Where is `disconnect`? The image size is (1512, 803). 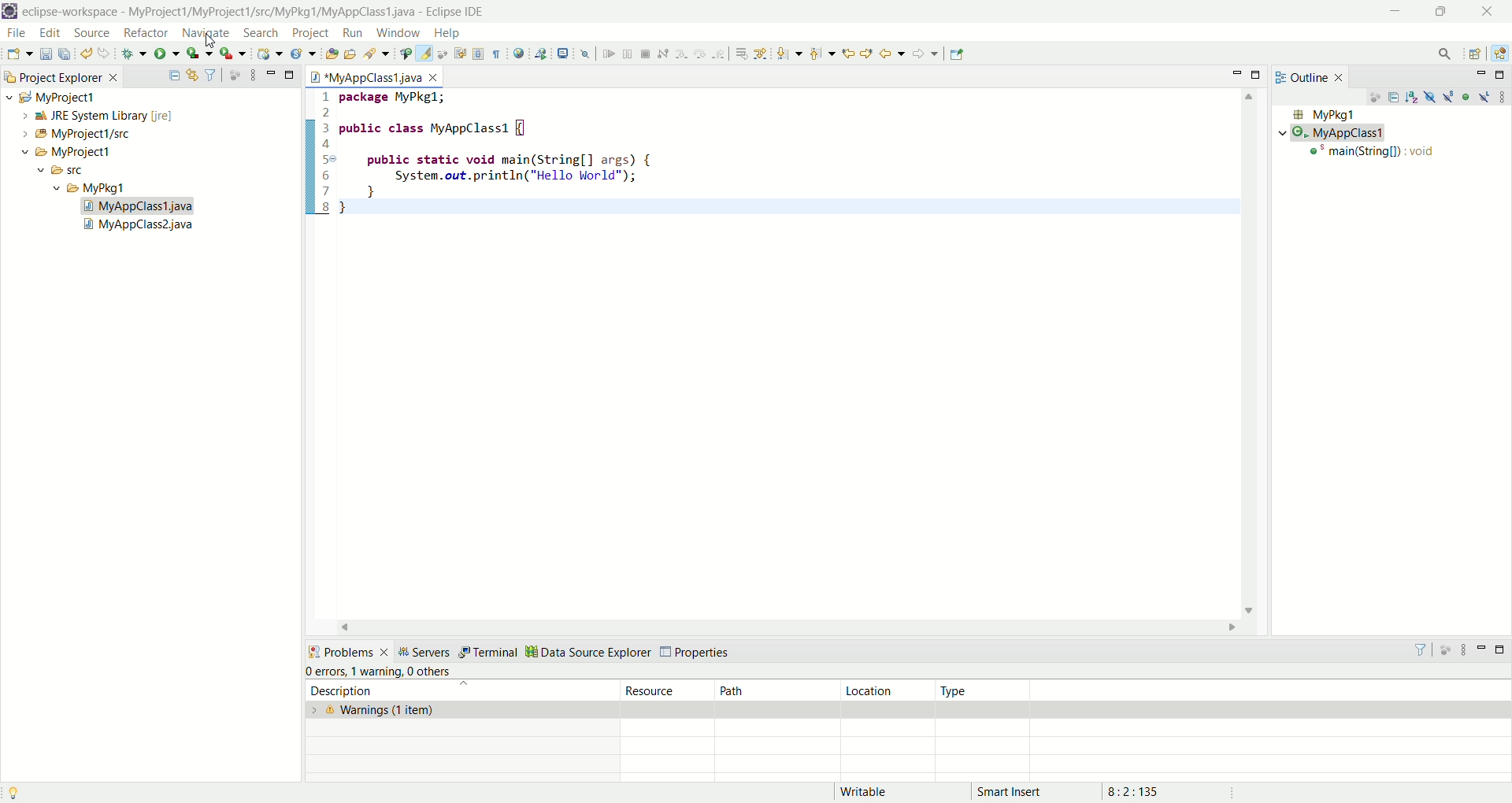 disconnect is located at coordinates (662, 54).